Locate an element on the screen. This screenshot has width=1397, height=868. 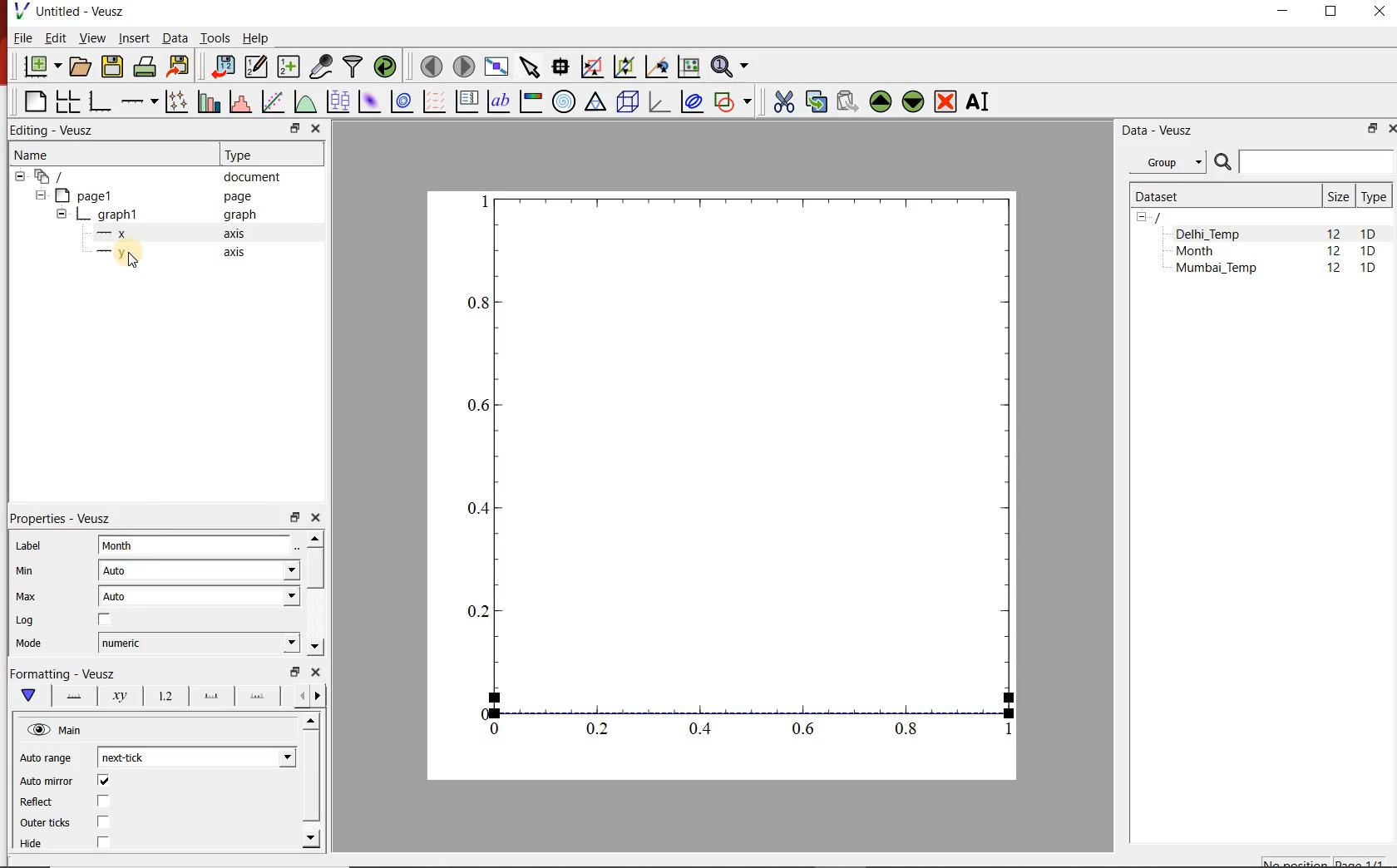
plot a function is located at coordinates (305, 101).